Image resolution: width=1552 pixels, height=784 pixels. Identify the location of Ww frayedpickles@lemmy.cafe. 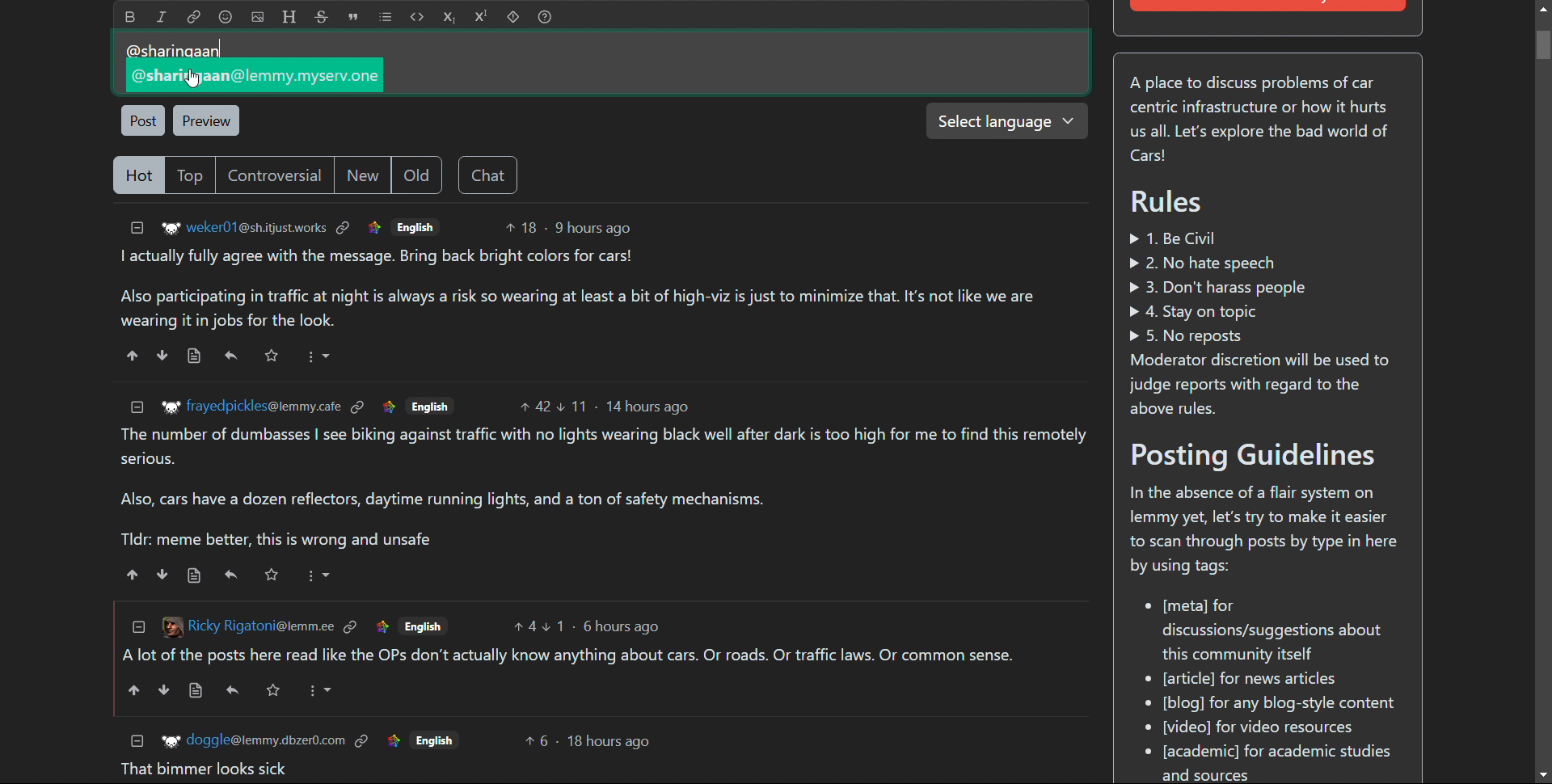
(249, 406).